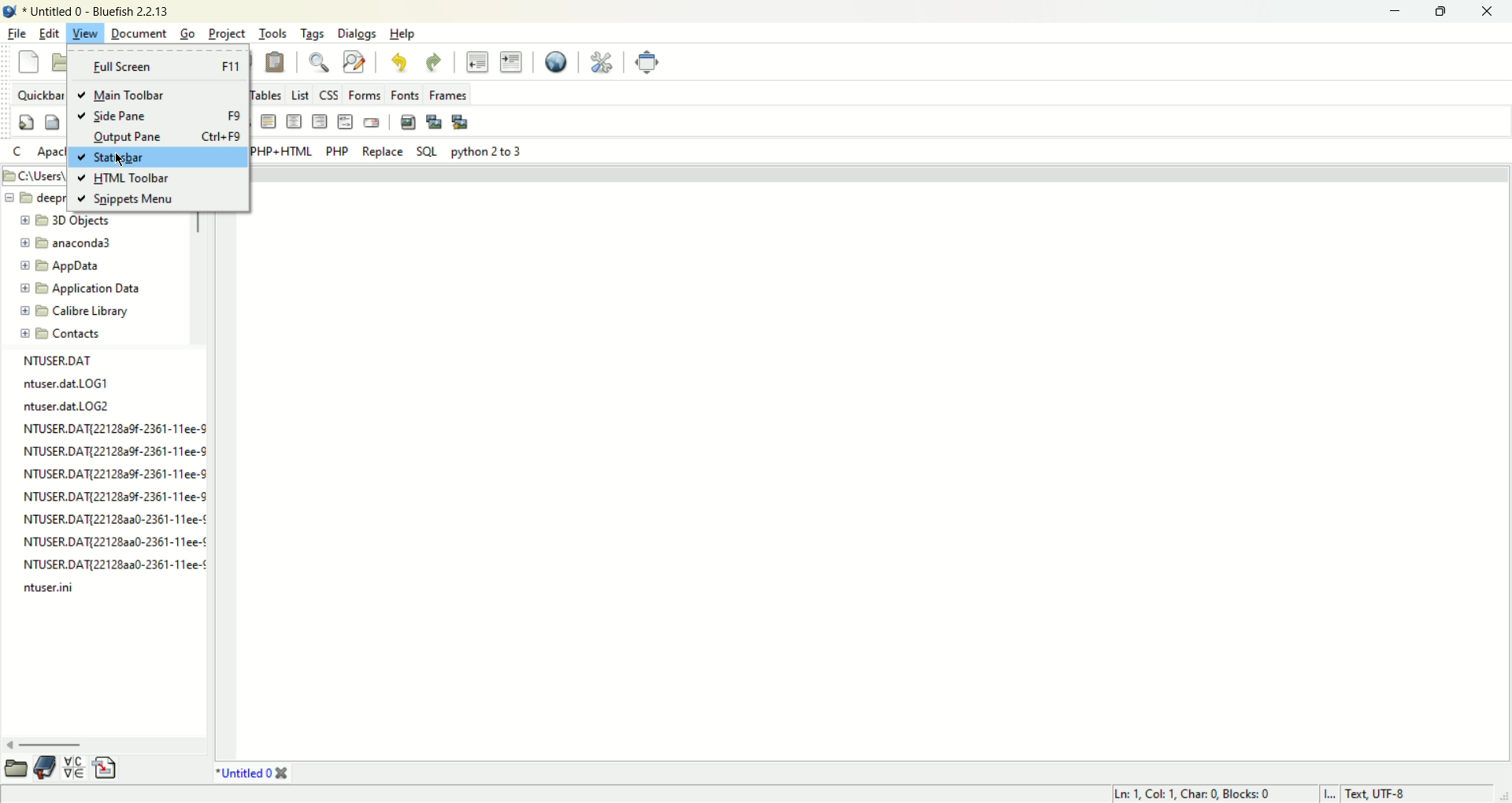 This screenshot has height=803, width=1512. Describe the element at coordinates (409, 123) in the screenshot. I see `insert image ` at that location.